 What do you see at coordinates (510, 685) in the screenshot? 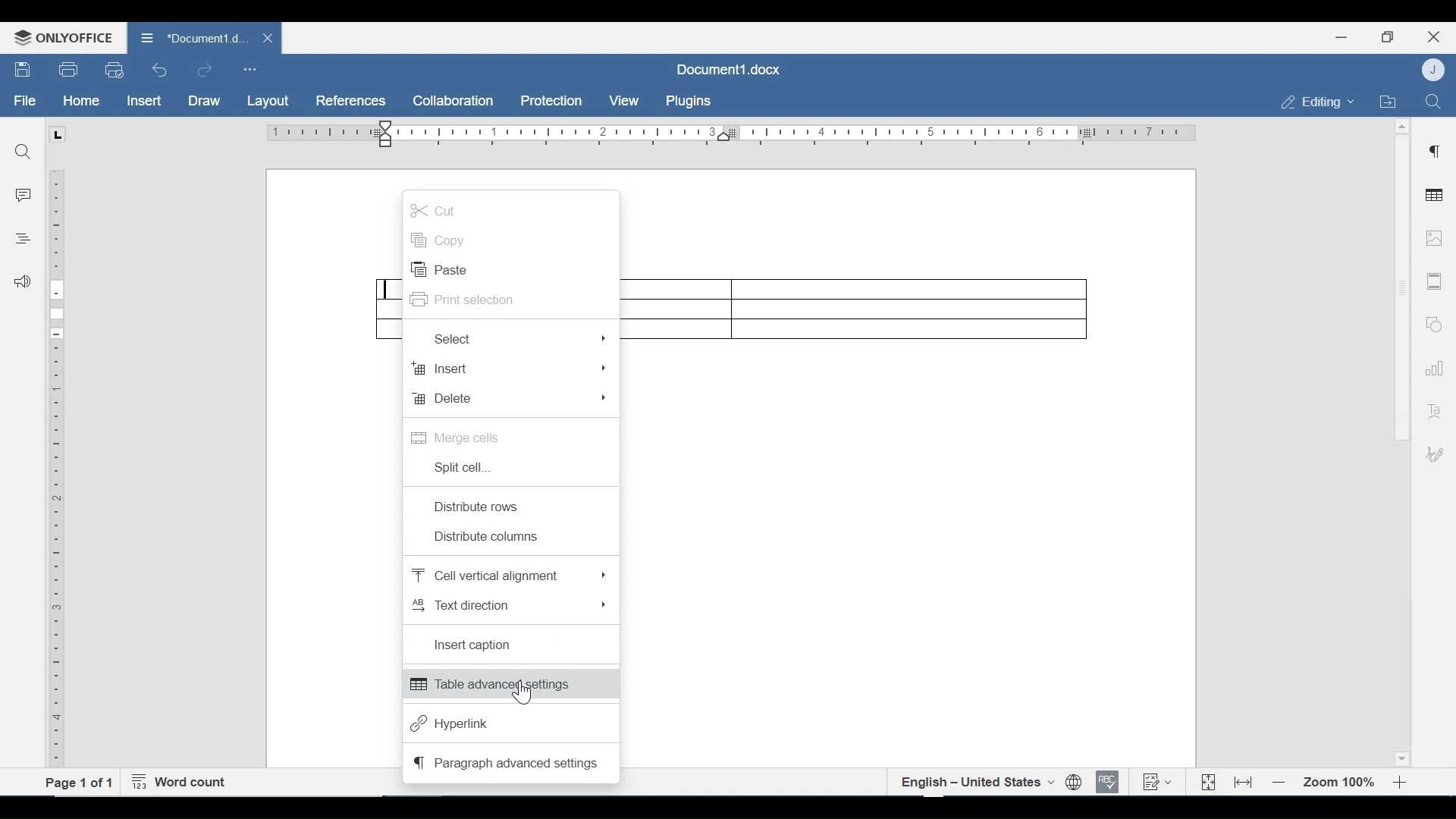
I see `Table advanced settings` at bounding box center [510, 685].